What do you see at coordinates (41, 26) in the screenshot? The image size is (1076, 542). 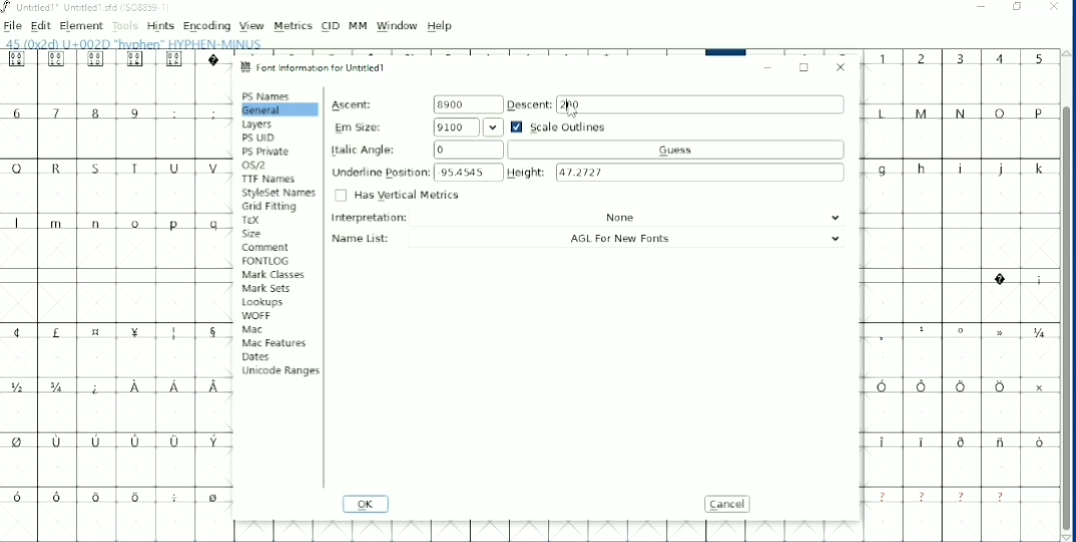 I see `Edit` at bounding box center [41, 26].